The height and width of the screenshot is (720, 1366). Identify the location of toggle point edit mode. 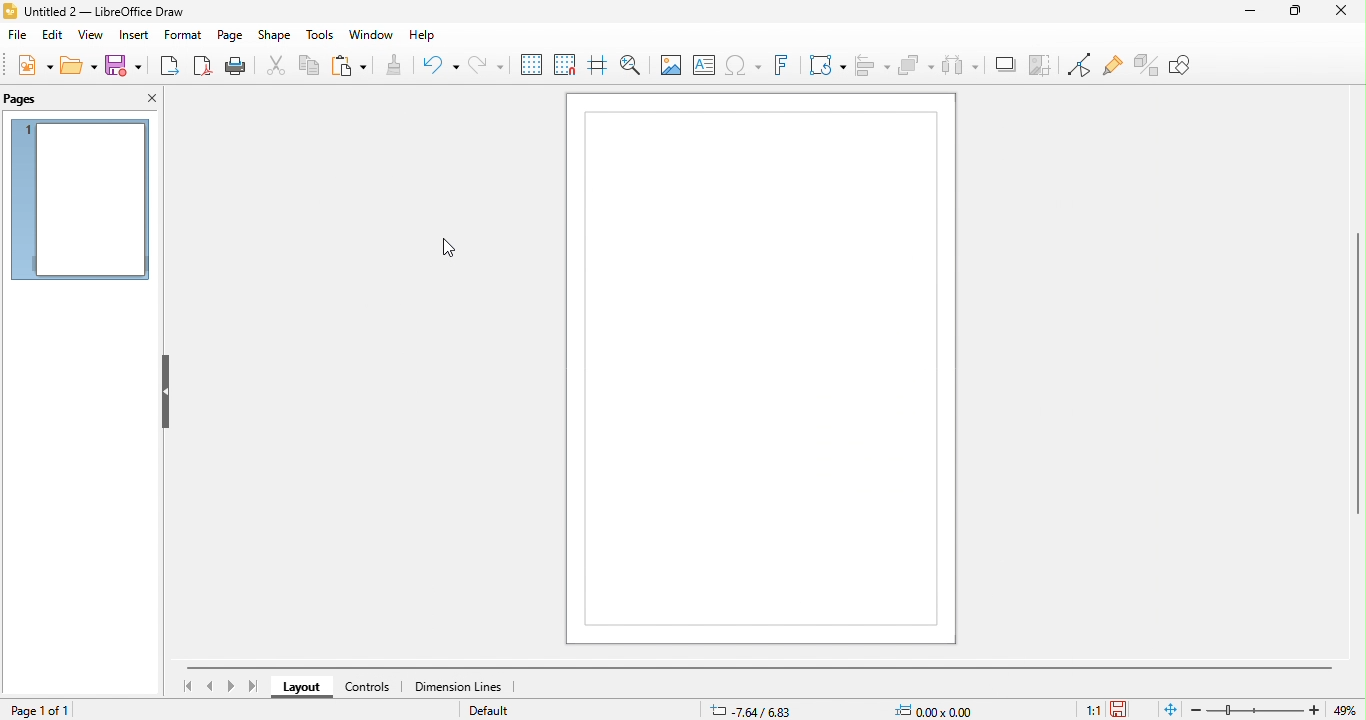
(1077, 65).